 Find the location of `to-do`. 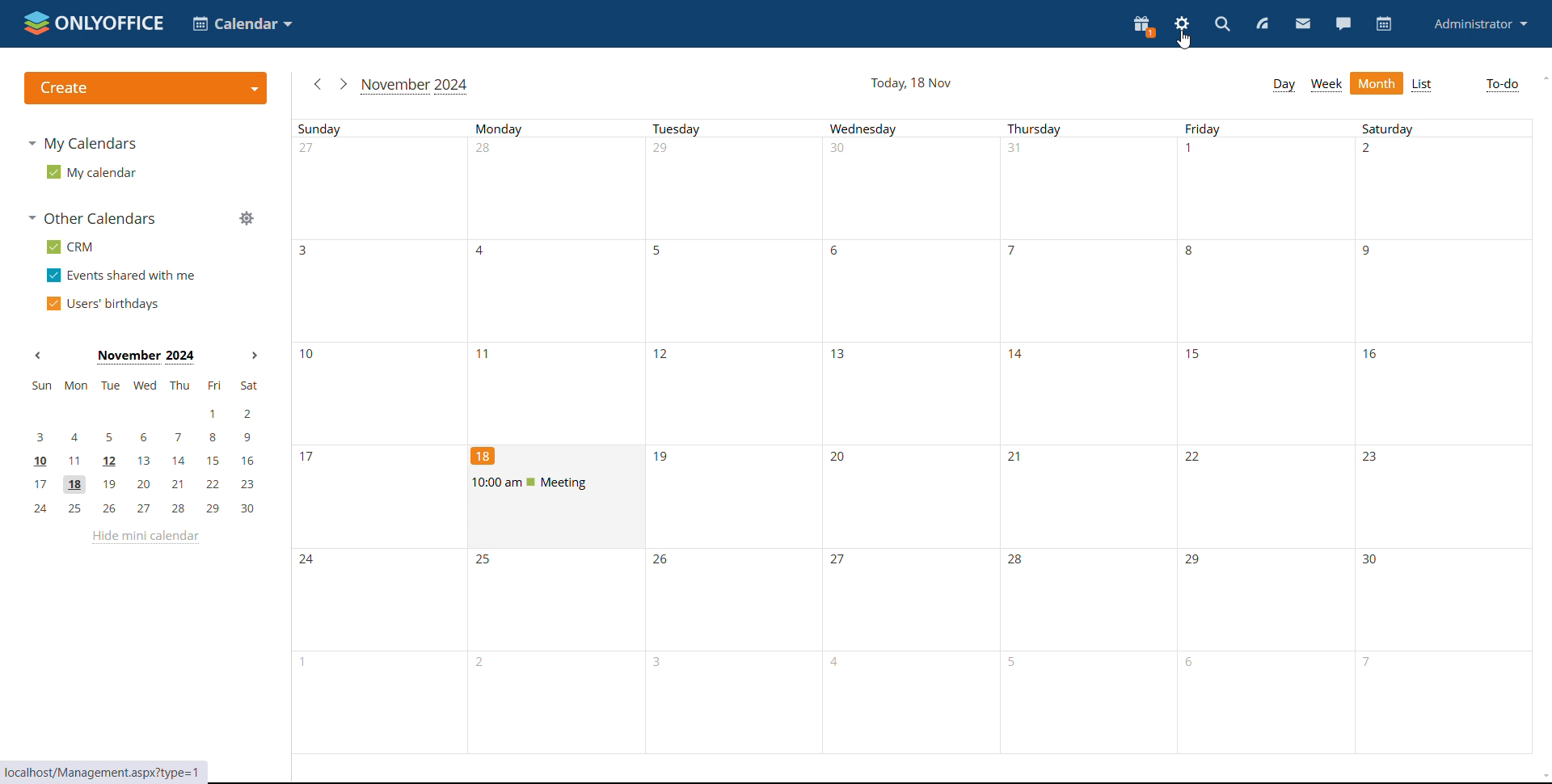

to-do is located at coordinates (1503, 85).